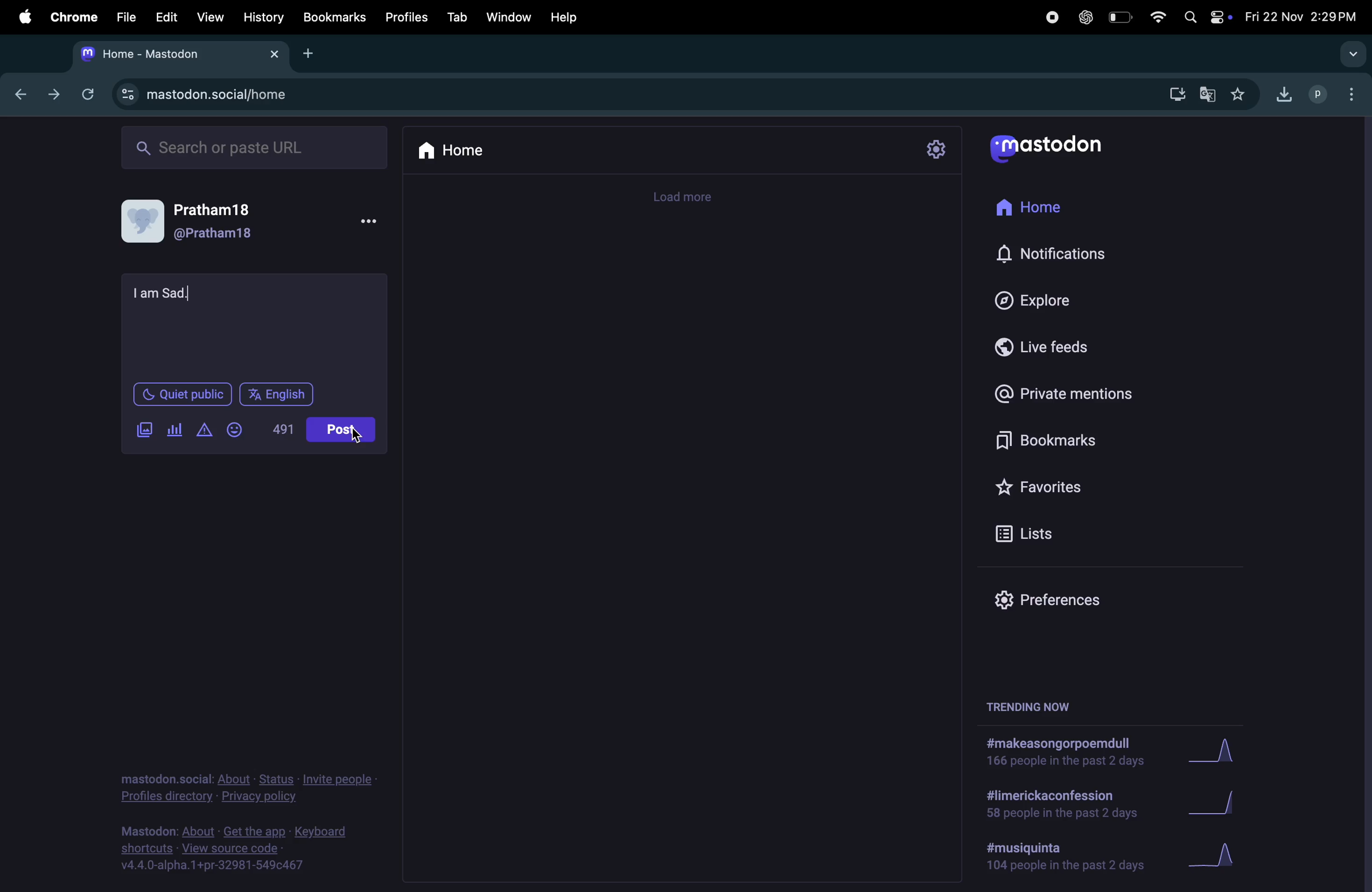 The height and width of the screenshot is (892, 1372). What do you see at coordinates (70, 16) in the screenshot?
I see `chrome` at bounding box center [70, 16].